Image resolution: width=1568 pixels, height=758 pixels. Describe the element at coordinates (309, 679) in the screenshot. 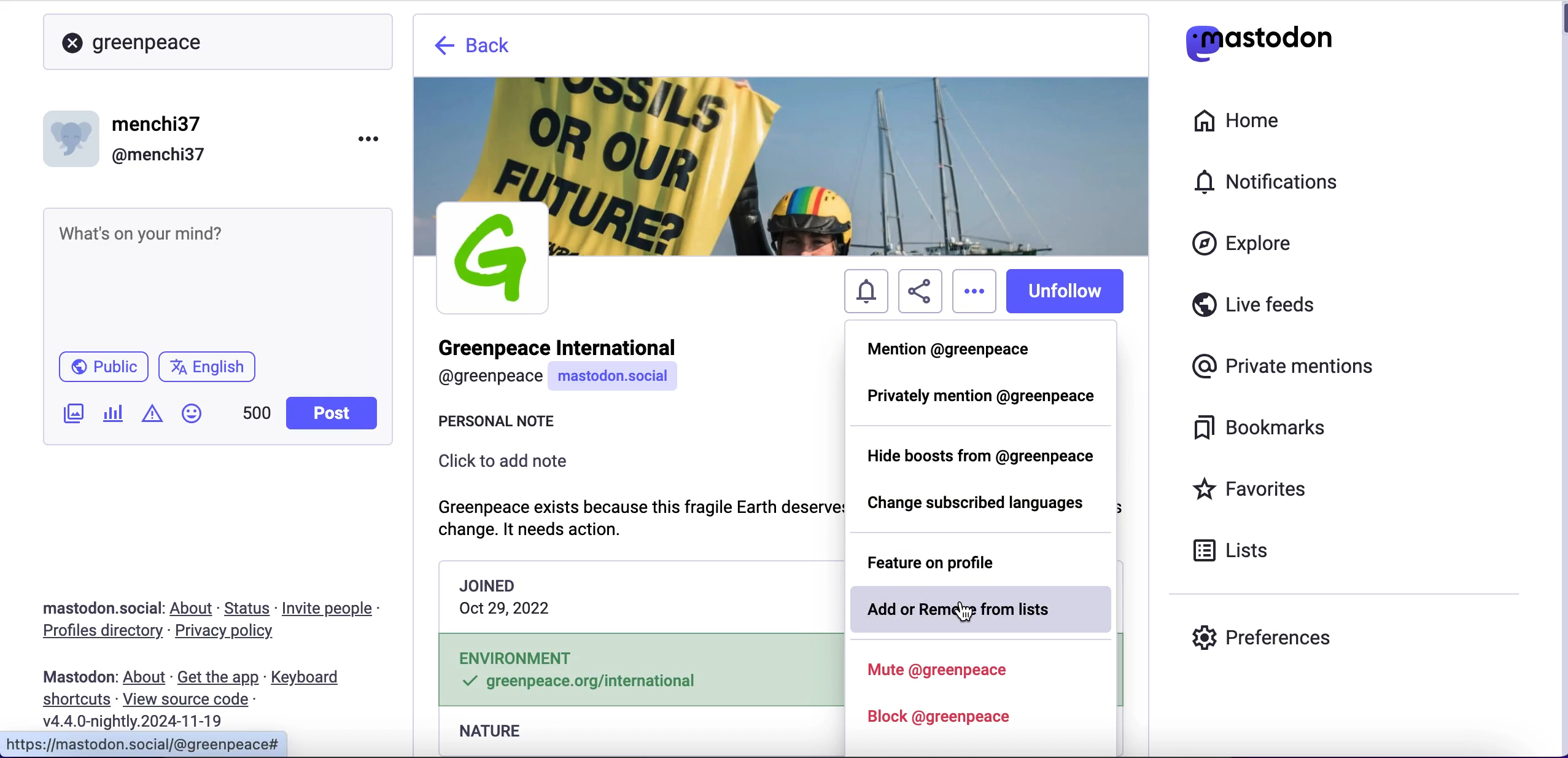

I see `keyboard` at that location.